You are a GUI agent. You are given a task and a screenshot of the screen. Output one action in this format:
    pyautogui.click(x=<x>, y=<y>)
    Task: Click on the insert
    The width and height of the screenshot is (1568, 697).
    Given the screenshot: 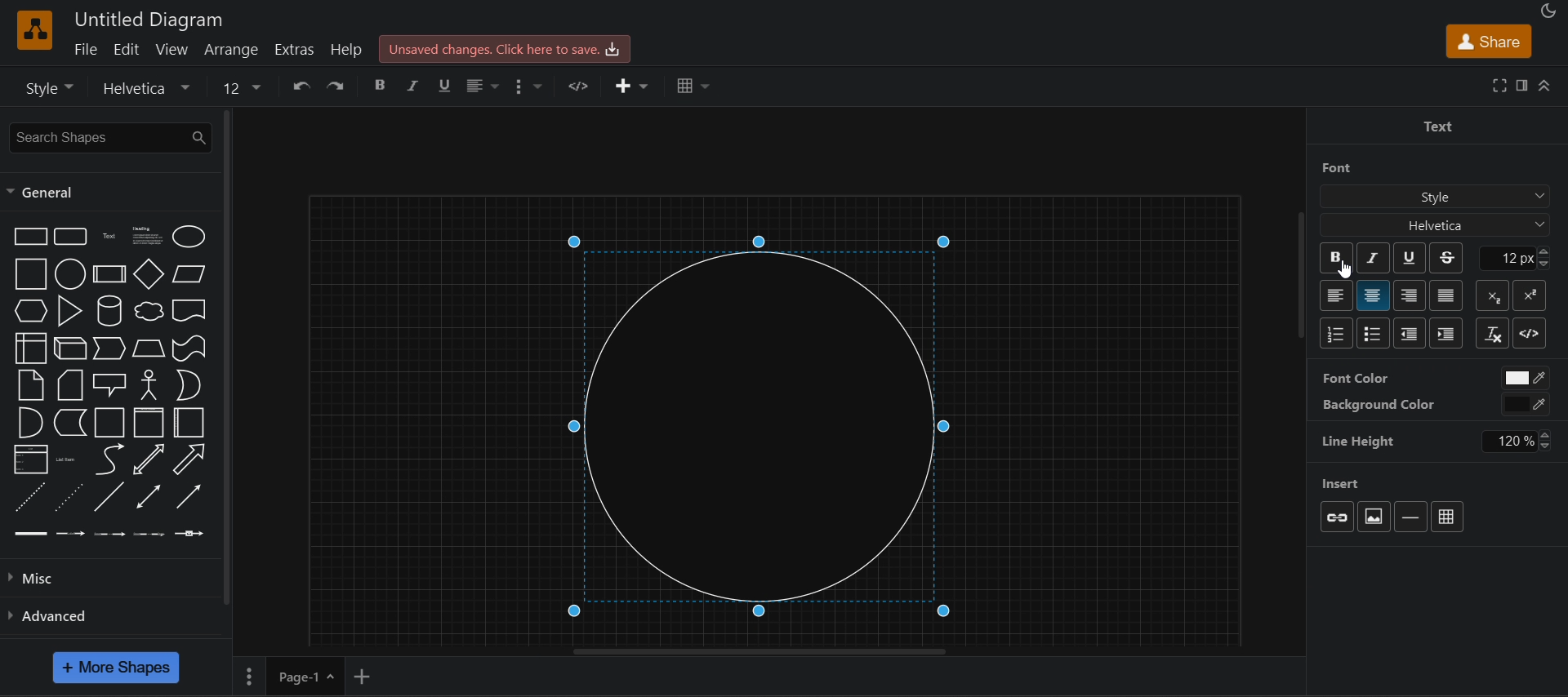 What is the action you would take?
    pyautogui.click(x=1344, y=482)
    